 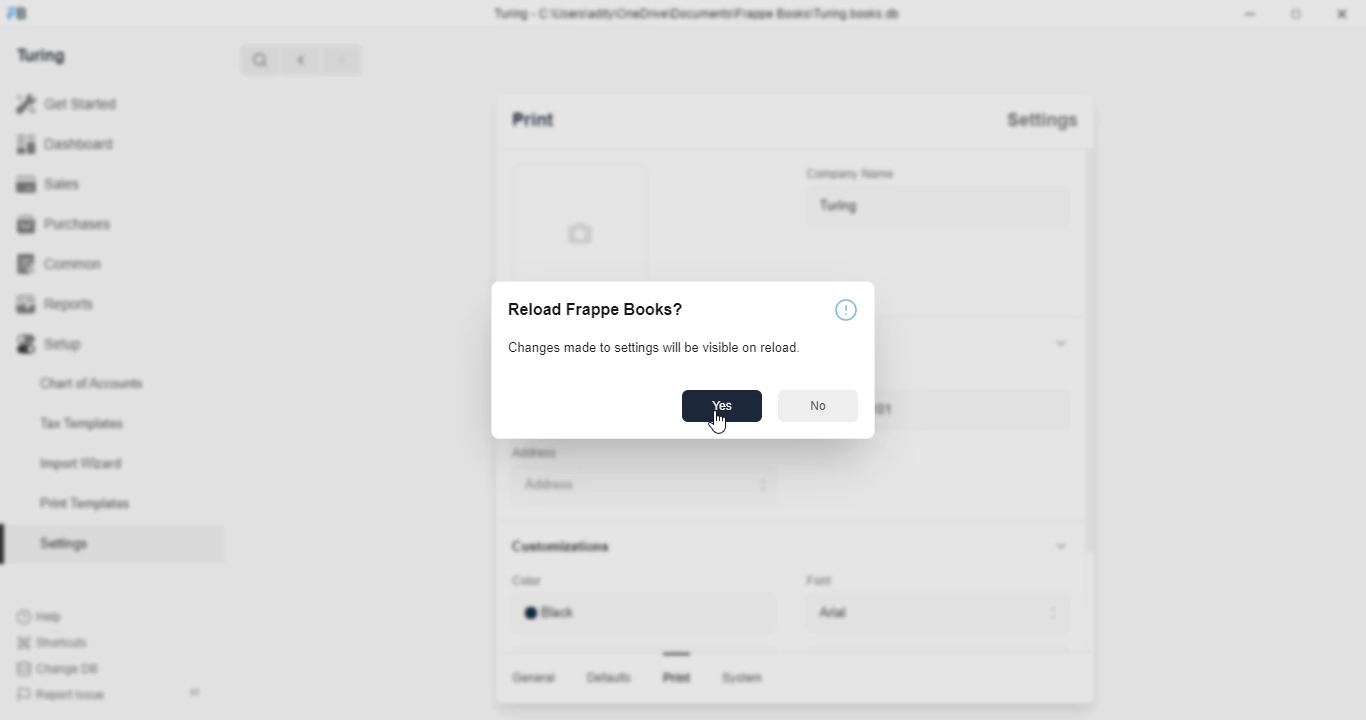 I want to click on Change DB, so click(x=60, y=670).